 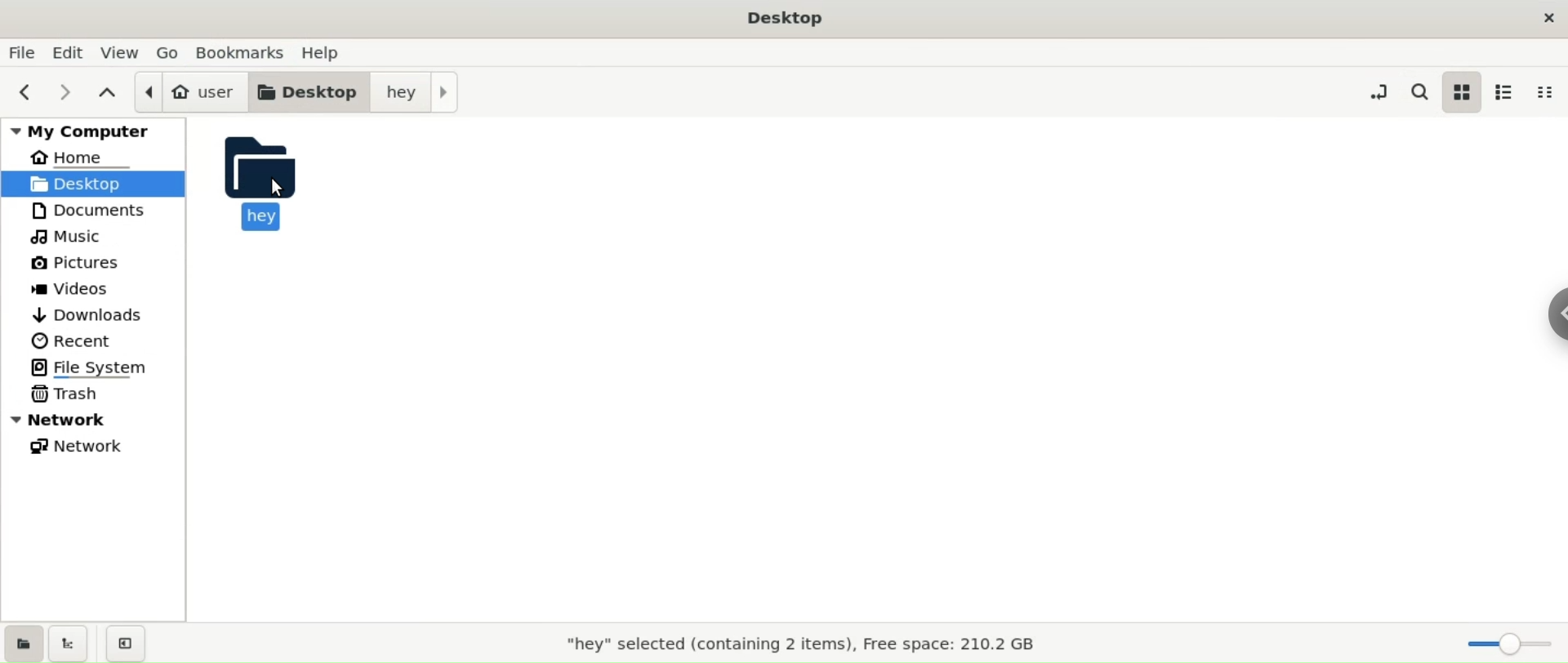 I want to click on "hey" selected(containing 2 items), Free space: 210.2 GB, so click(x=804, y=646).